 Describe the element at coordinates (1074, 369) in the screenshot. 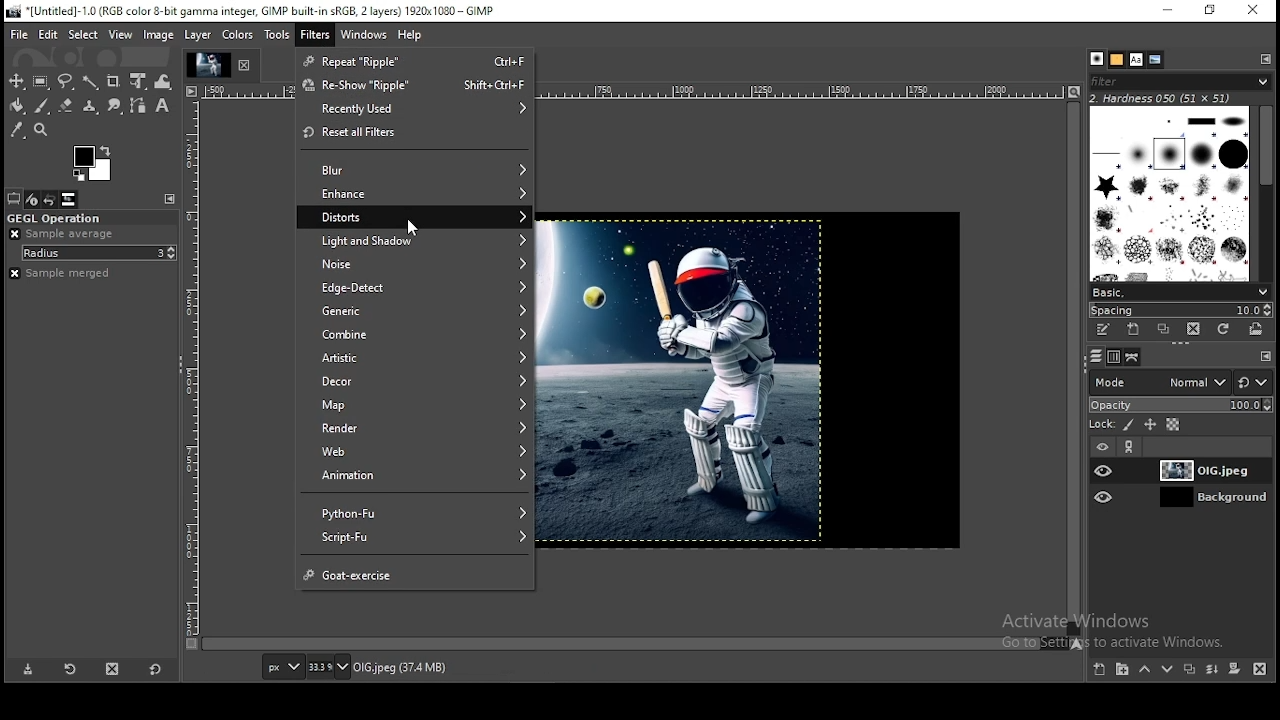

I see `scroll bar` at that location.